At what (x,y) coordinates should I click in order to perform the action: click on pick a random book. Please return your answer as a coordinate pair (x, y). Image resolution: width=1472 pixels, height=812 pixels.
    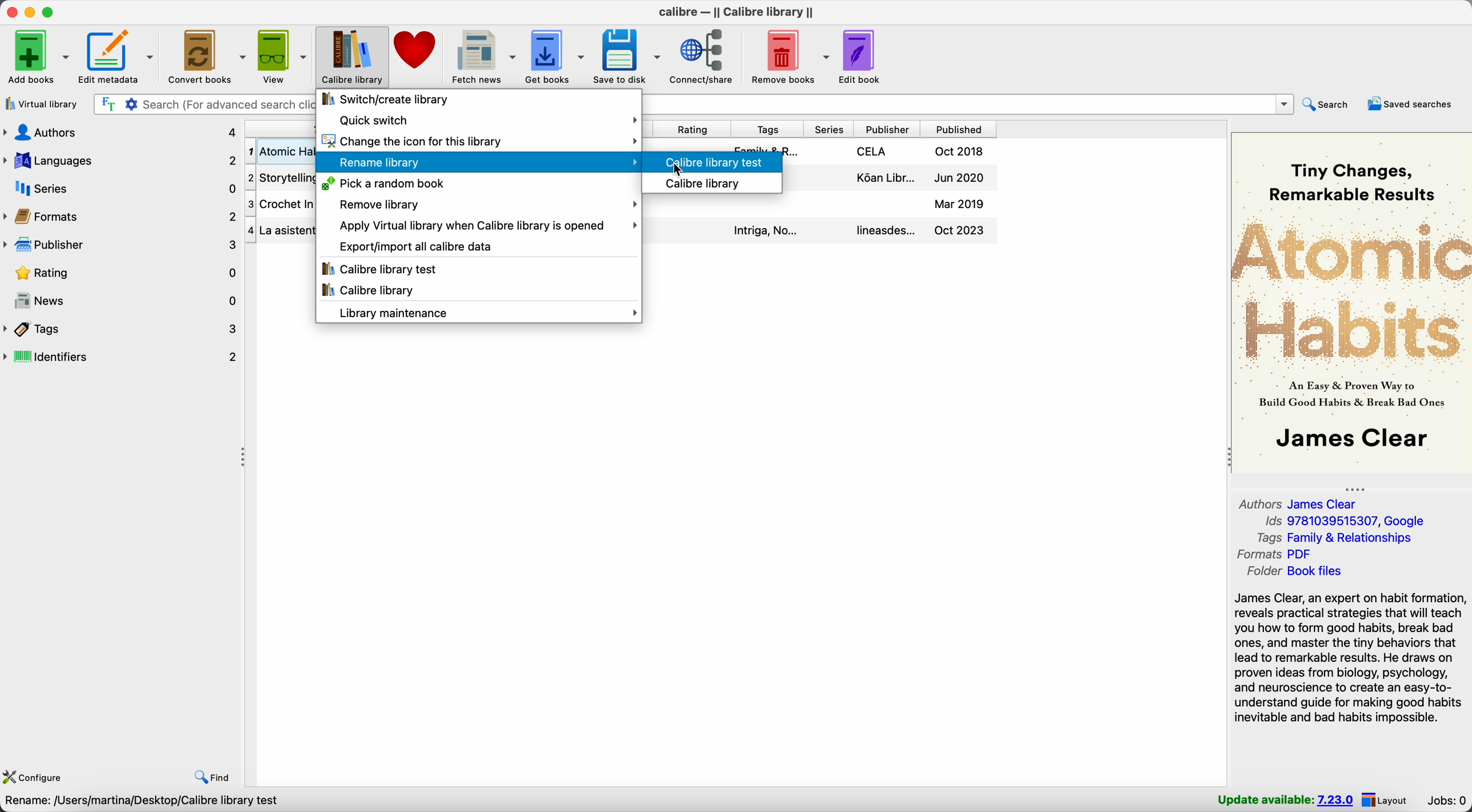
    Looking at the image, I should click on (382, 184).